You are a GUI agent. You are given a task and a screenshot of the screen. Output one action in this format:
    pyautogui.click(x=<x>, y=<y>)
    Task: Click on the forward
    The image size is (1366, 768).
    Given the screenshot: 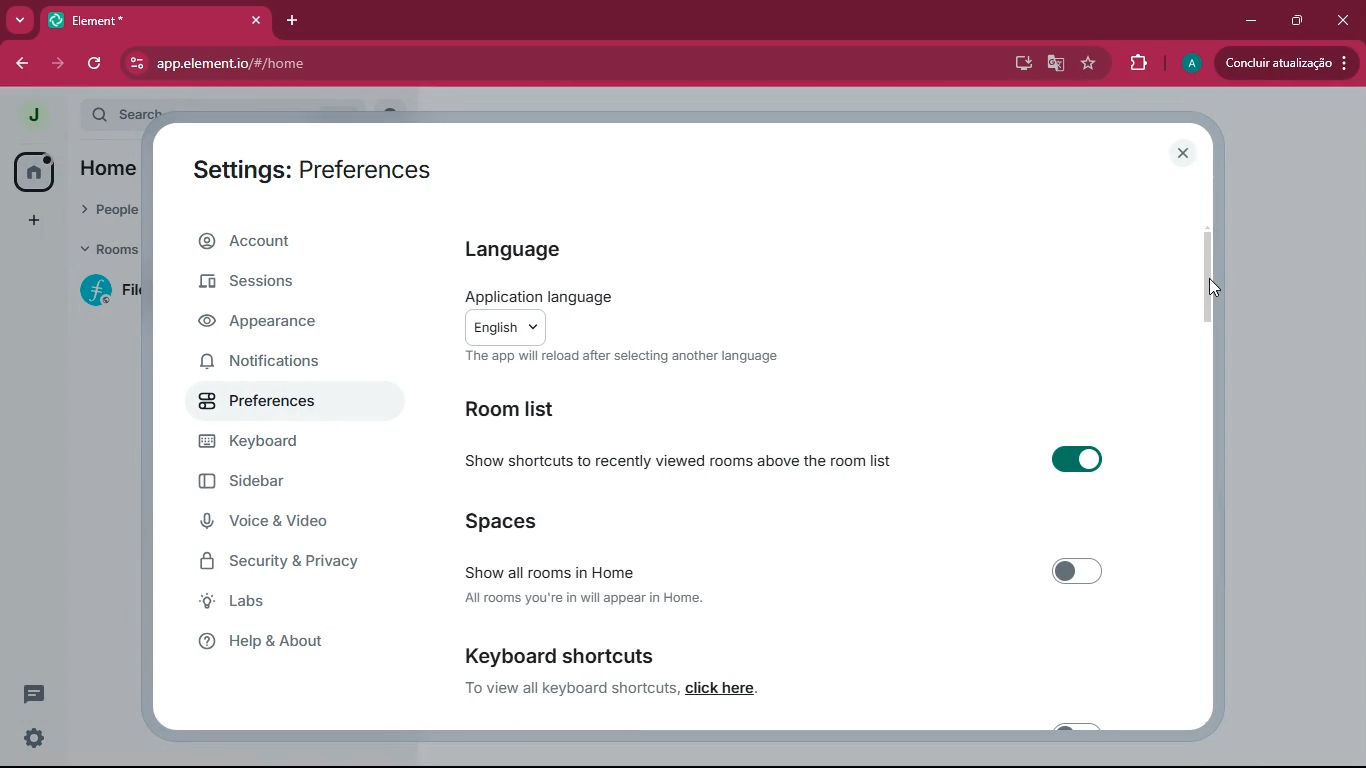 What is the action you would take?
    pyautogui.click(x=20, y=65)
    